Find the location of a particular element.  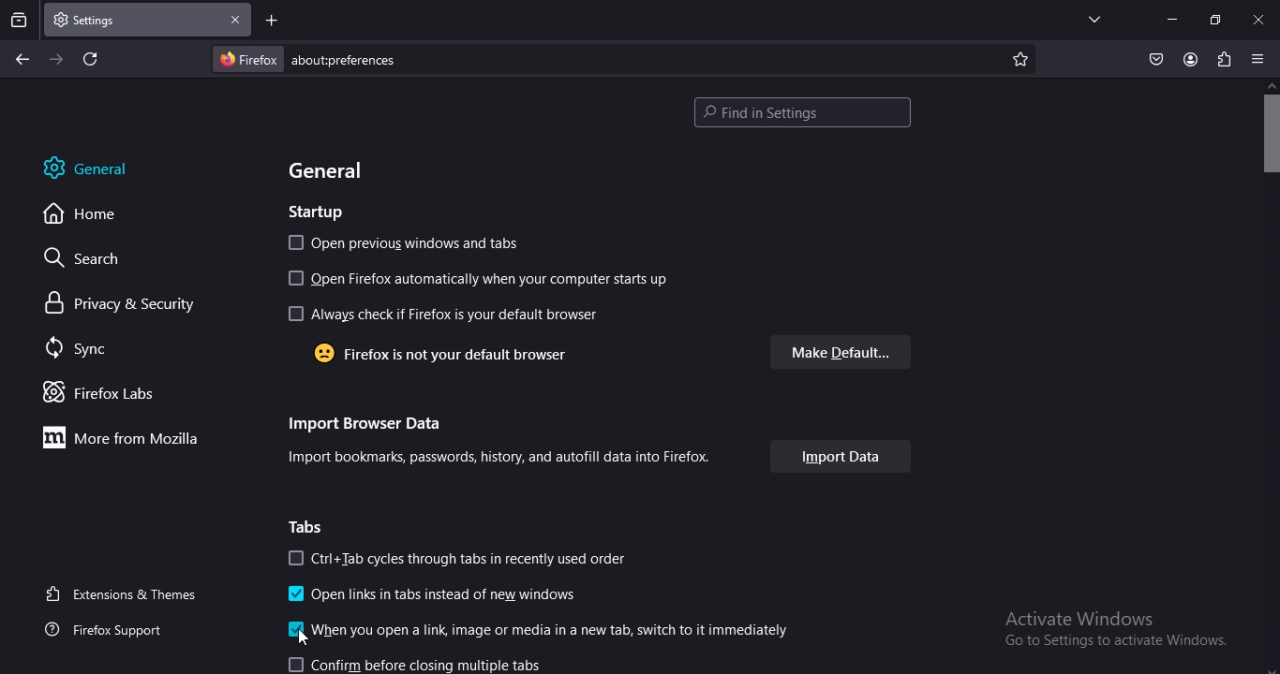

list all tabs is located at coordinates (1095, 18).